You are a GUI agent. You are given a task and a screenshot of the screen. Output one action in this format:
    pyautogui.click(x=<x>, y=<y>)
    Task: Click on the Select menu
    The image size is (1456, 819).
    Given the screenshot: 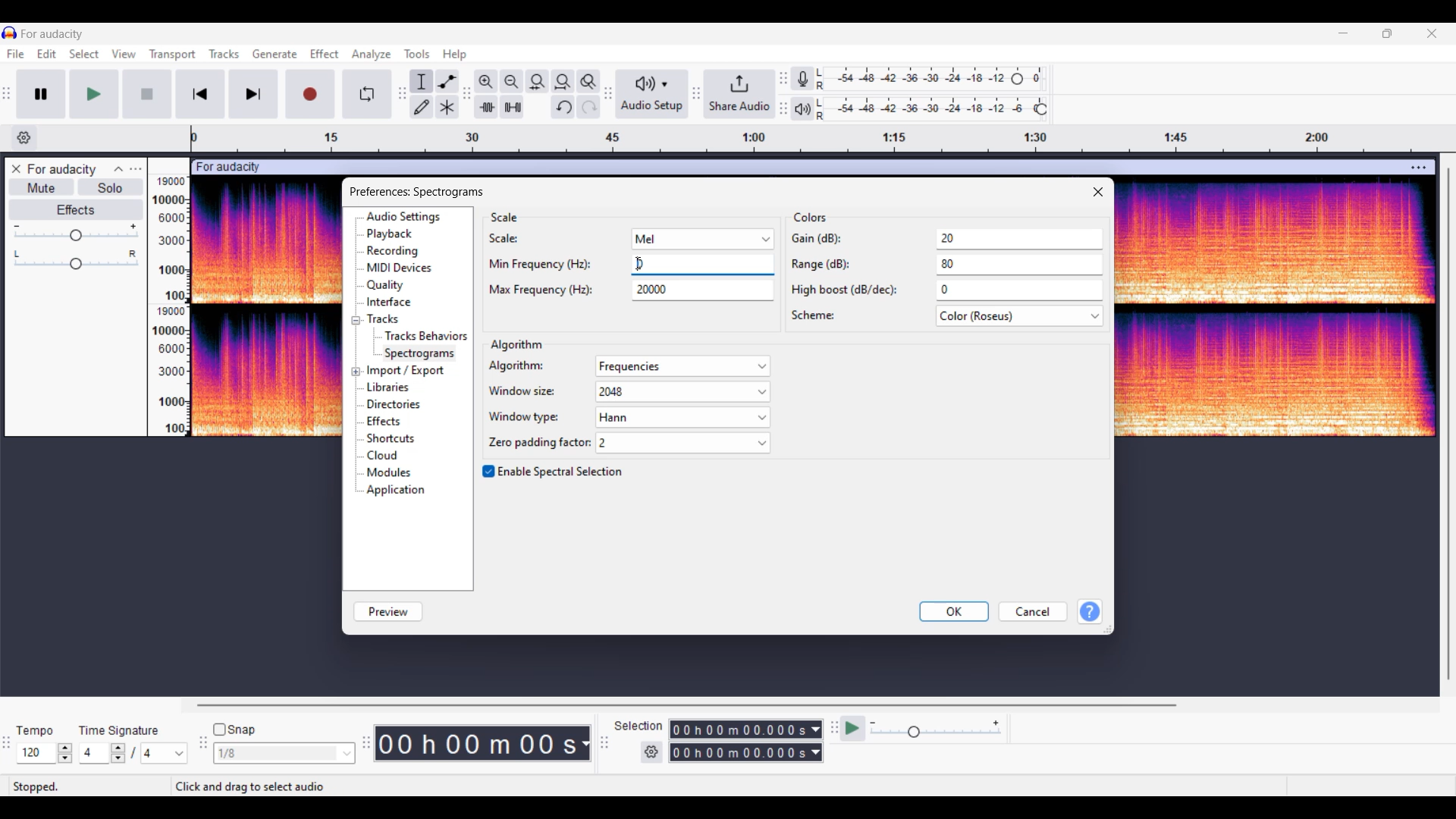 What is the action you would take?
    pyautogui.click(x=84, y=54)
    